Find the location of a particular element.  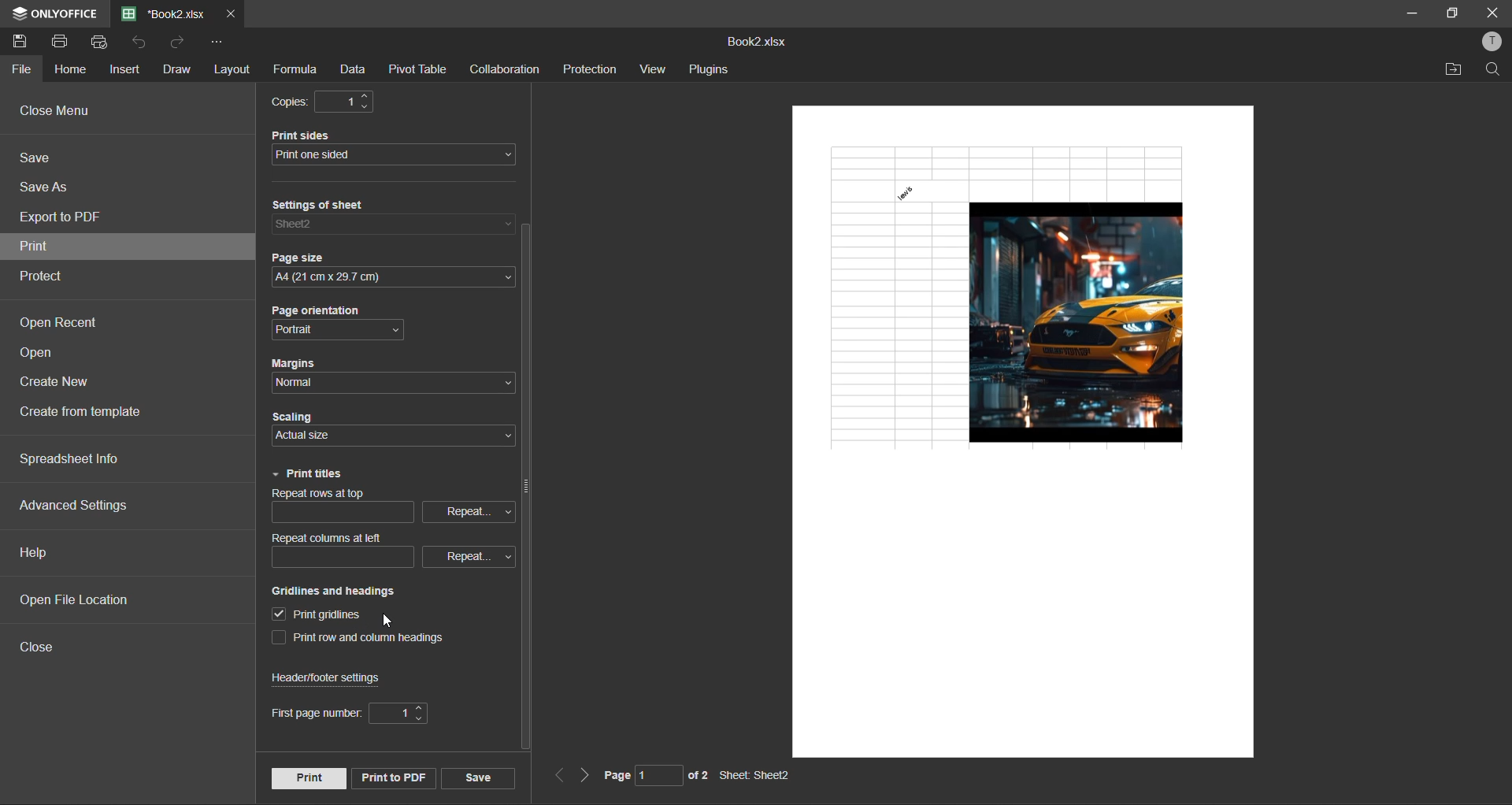

open file location is located at coordinates (80, 600).